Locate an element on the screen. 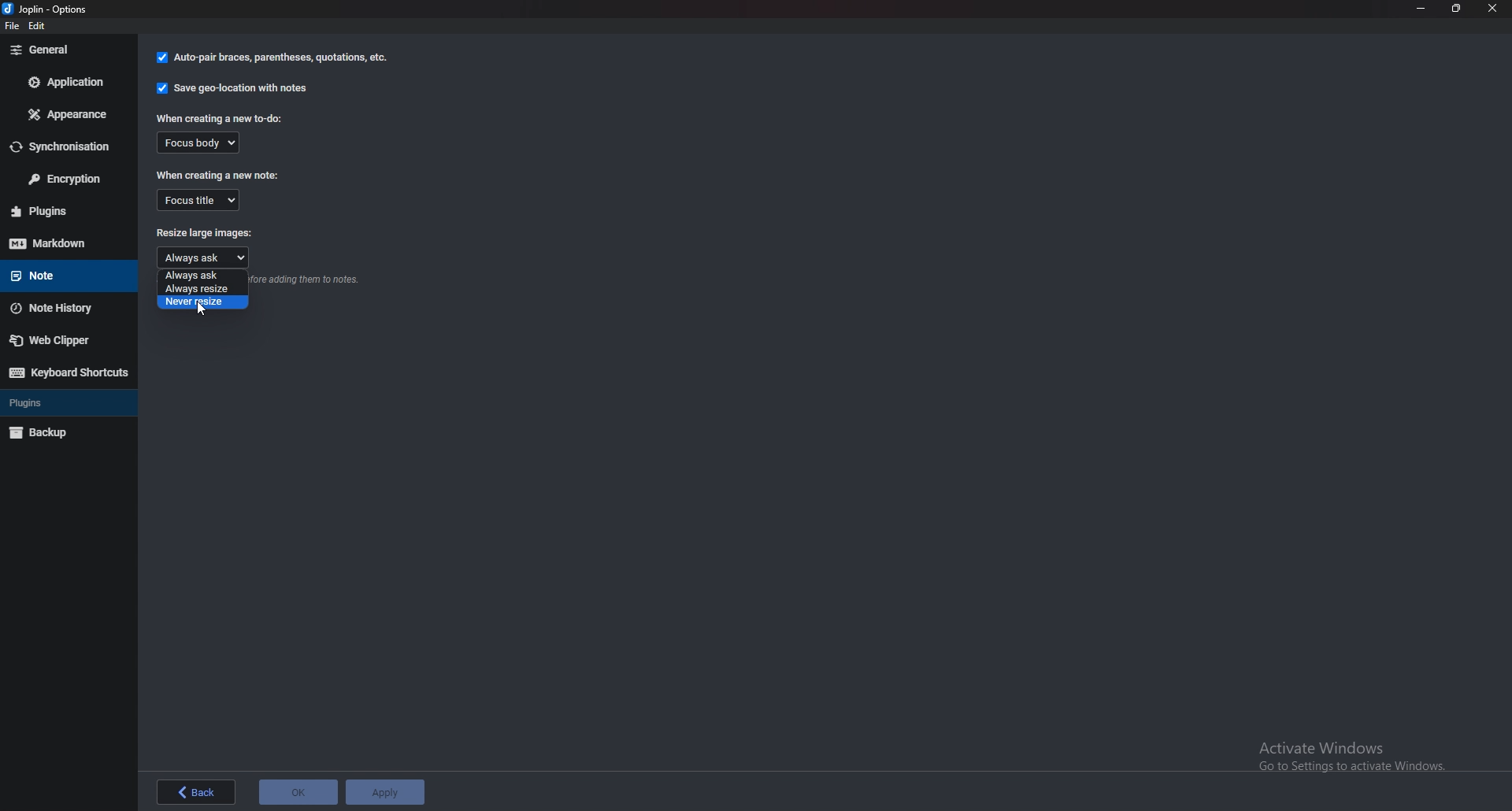  When creating a new note is located at coordinates (219, 175).